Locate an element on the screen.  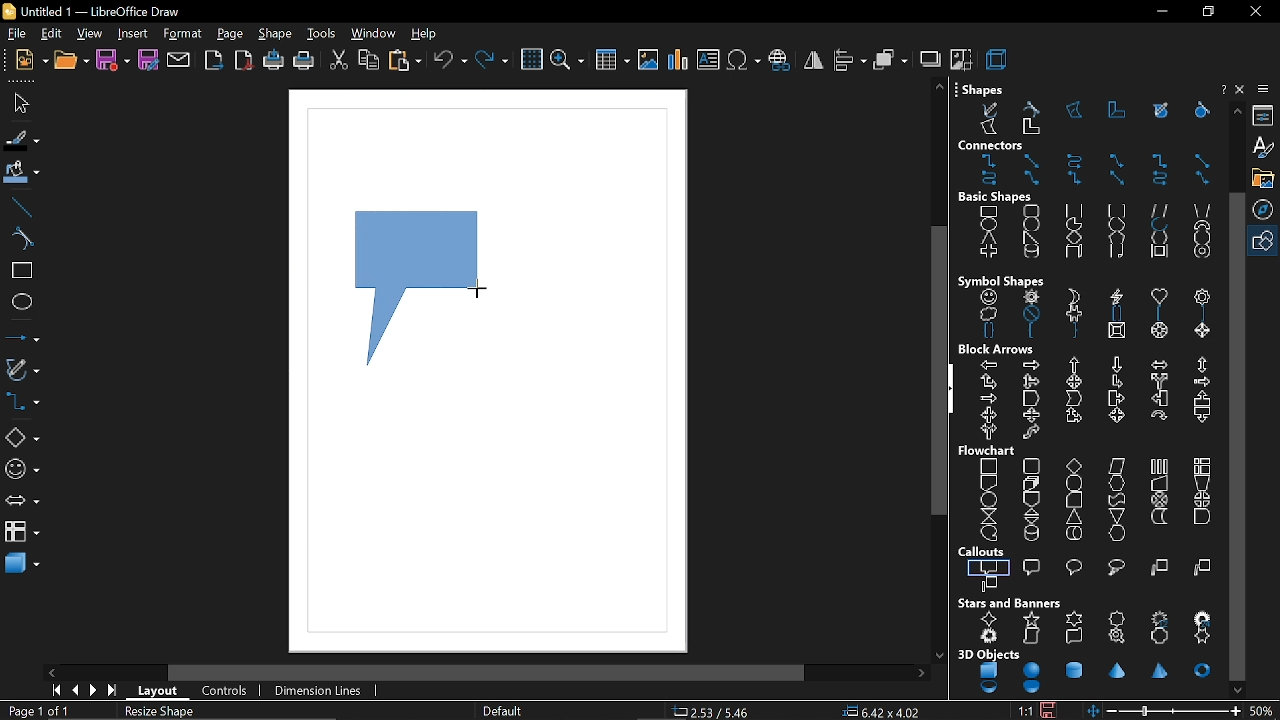
6 point star is located at coordinates (1073, 619).